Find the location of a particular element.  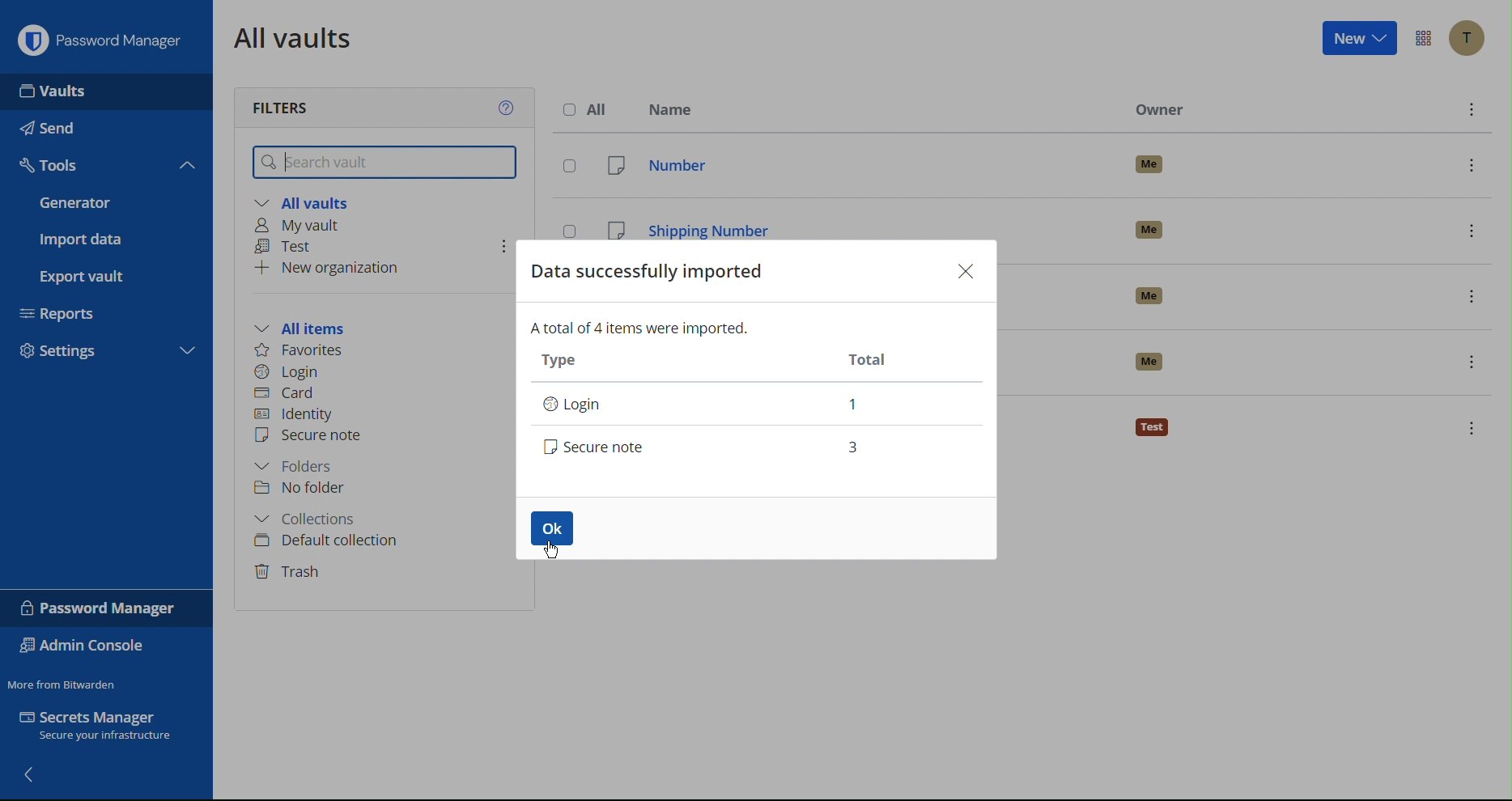

Export vault is located at coordinates (100, 276).